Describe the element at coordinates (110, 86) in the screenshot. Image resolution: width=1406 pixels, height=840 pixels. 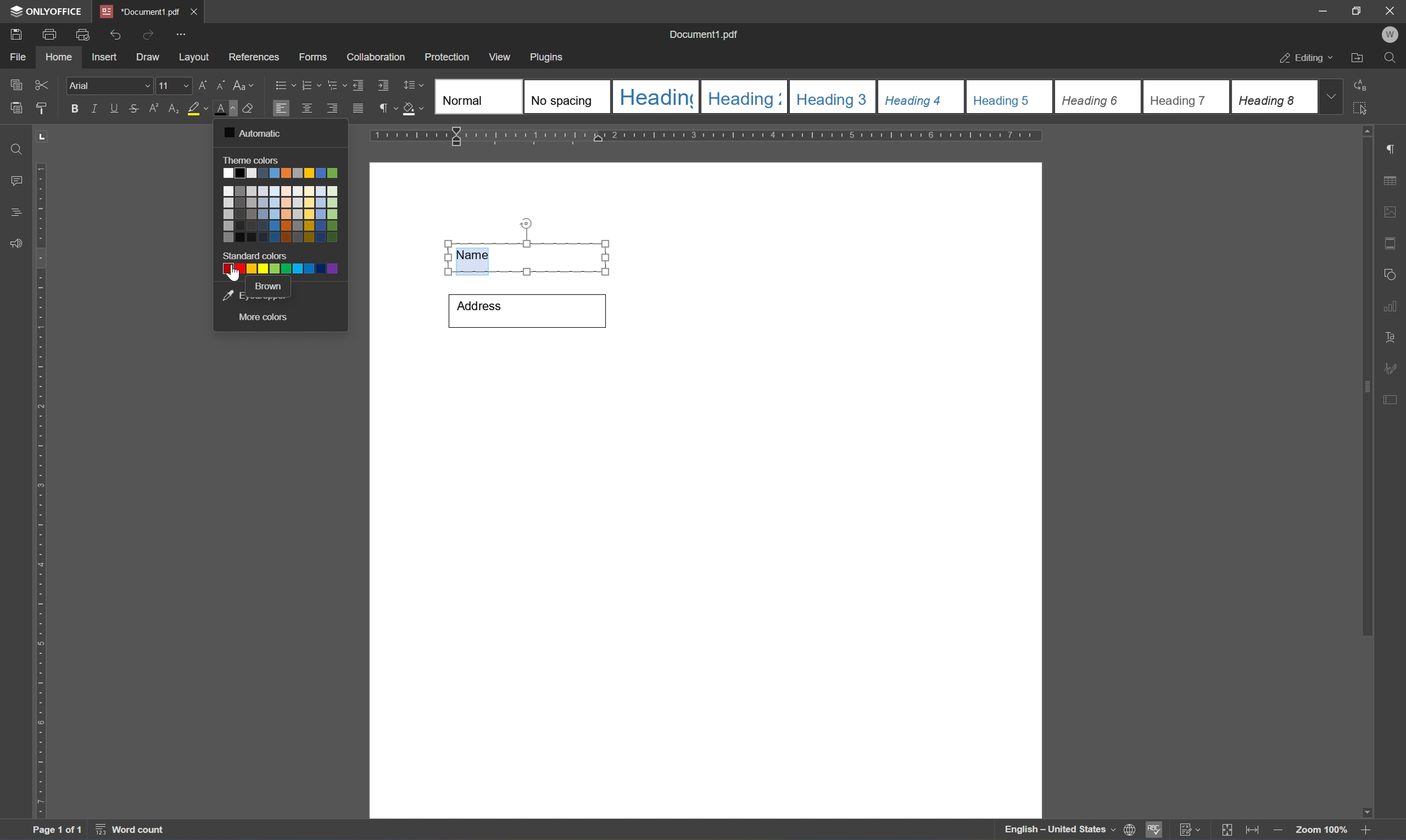
I see `font` at that location.